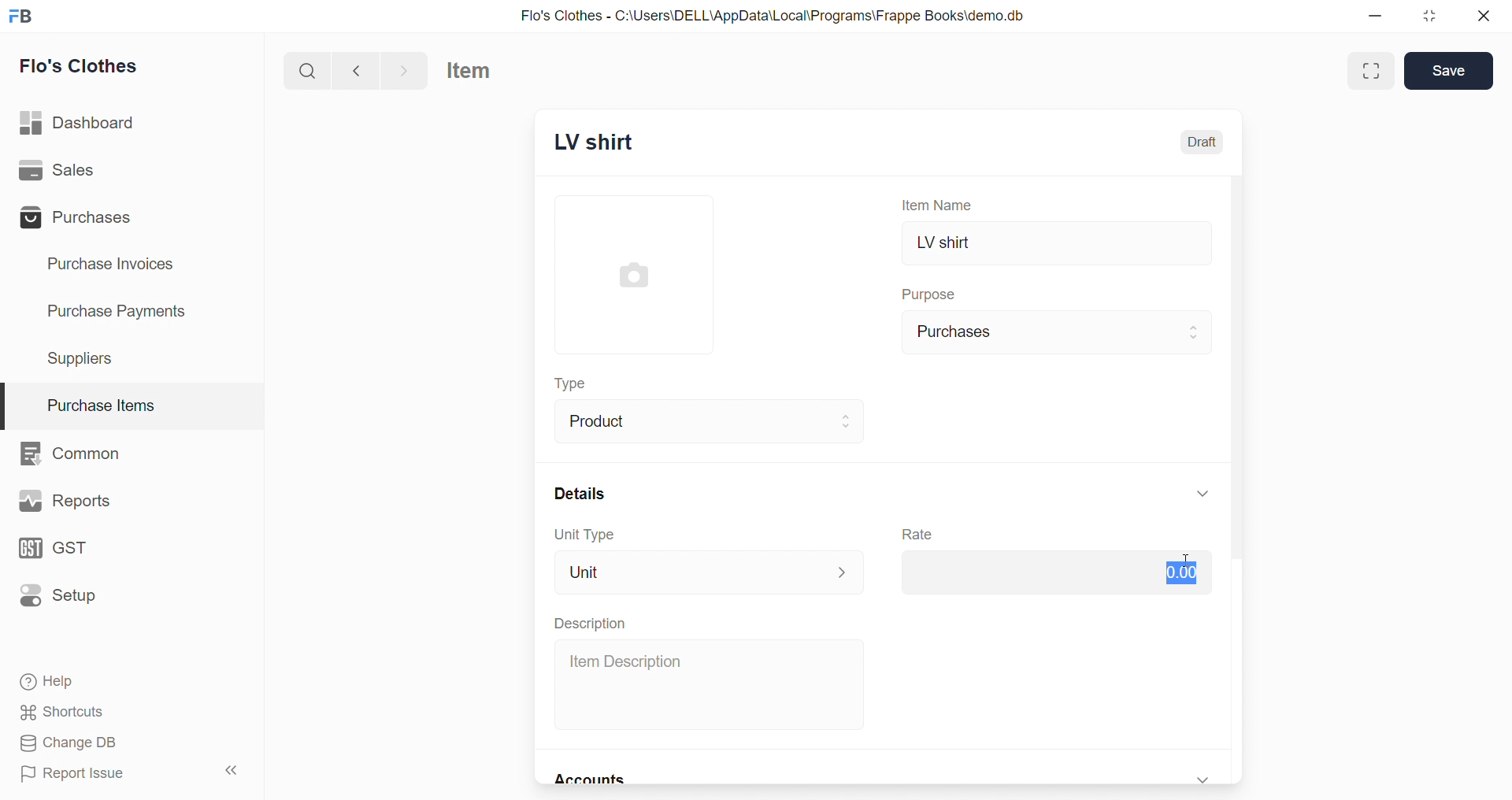 The width and height of the screenshot is (1512, 800). I want to click on Change DB, so click(124, 743).